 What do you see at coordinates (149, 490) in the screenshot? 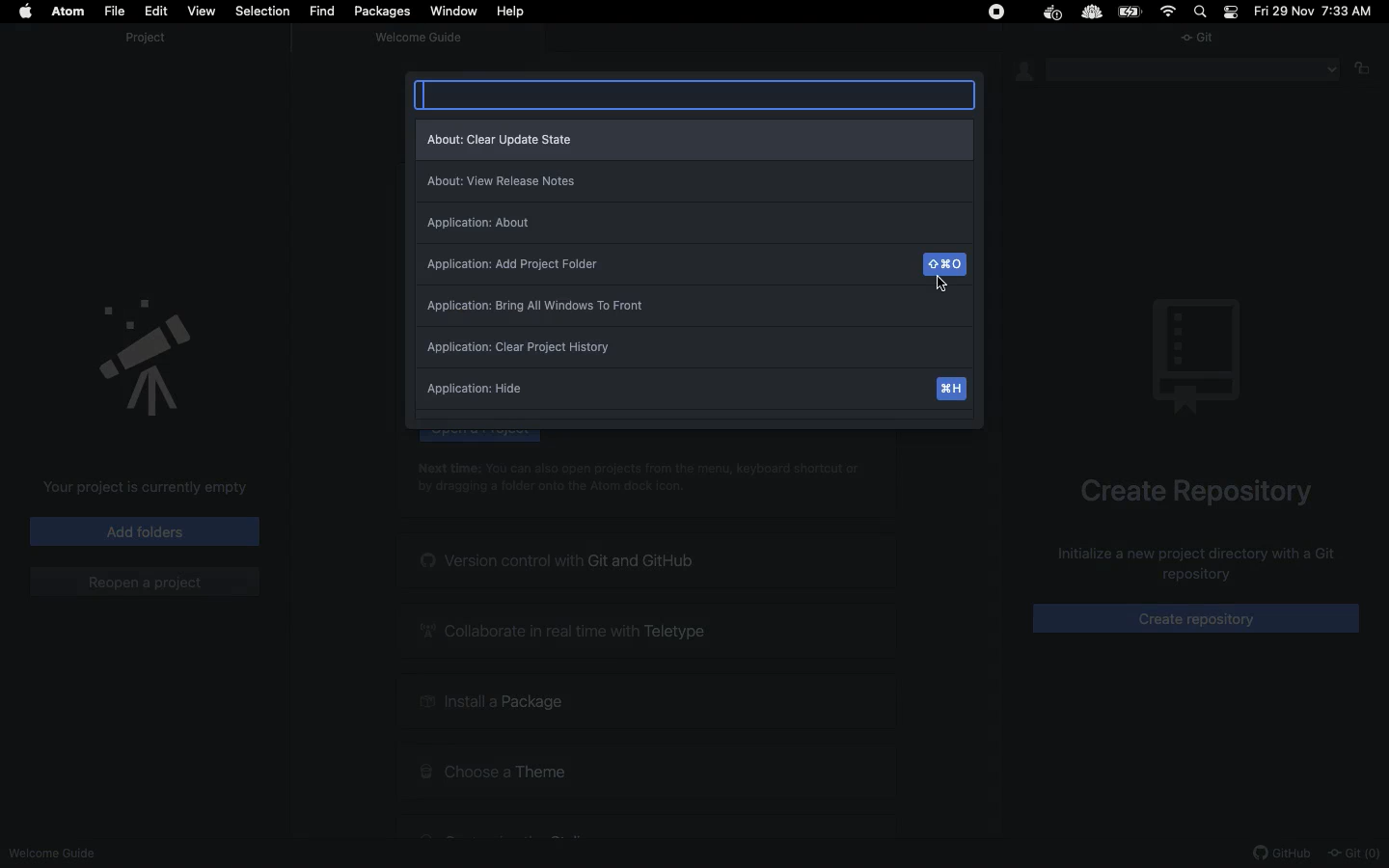
I see `Your project is currently empty` at bounding box center [149, 490].